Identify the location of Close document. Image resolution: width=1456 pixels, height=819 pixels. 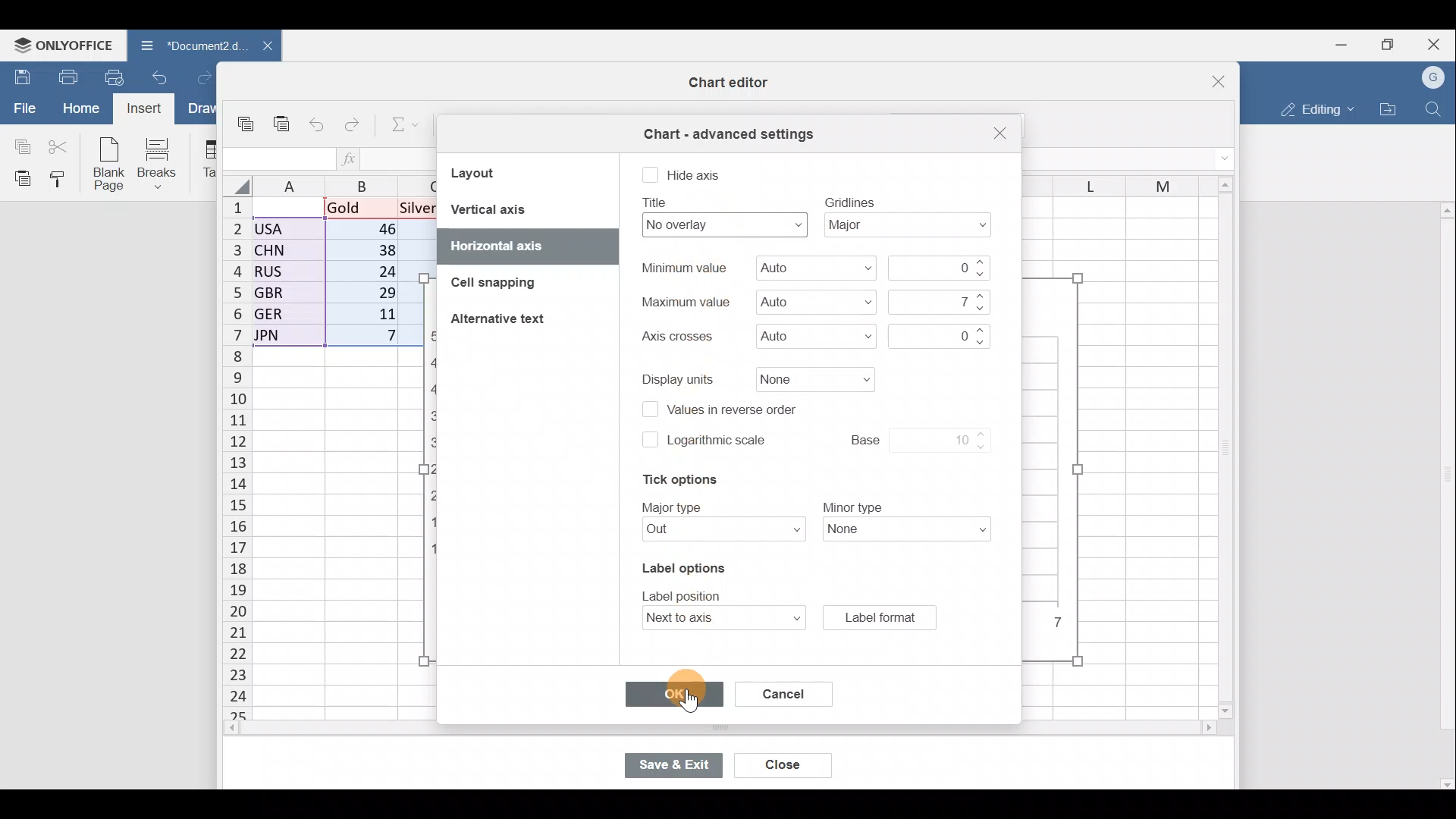
(259, 47).